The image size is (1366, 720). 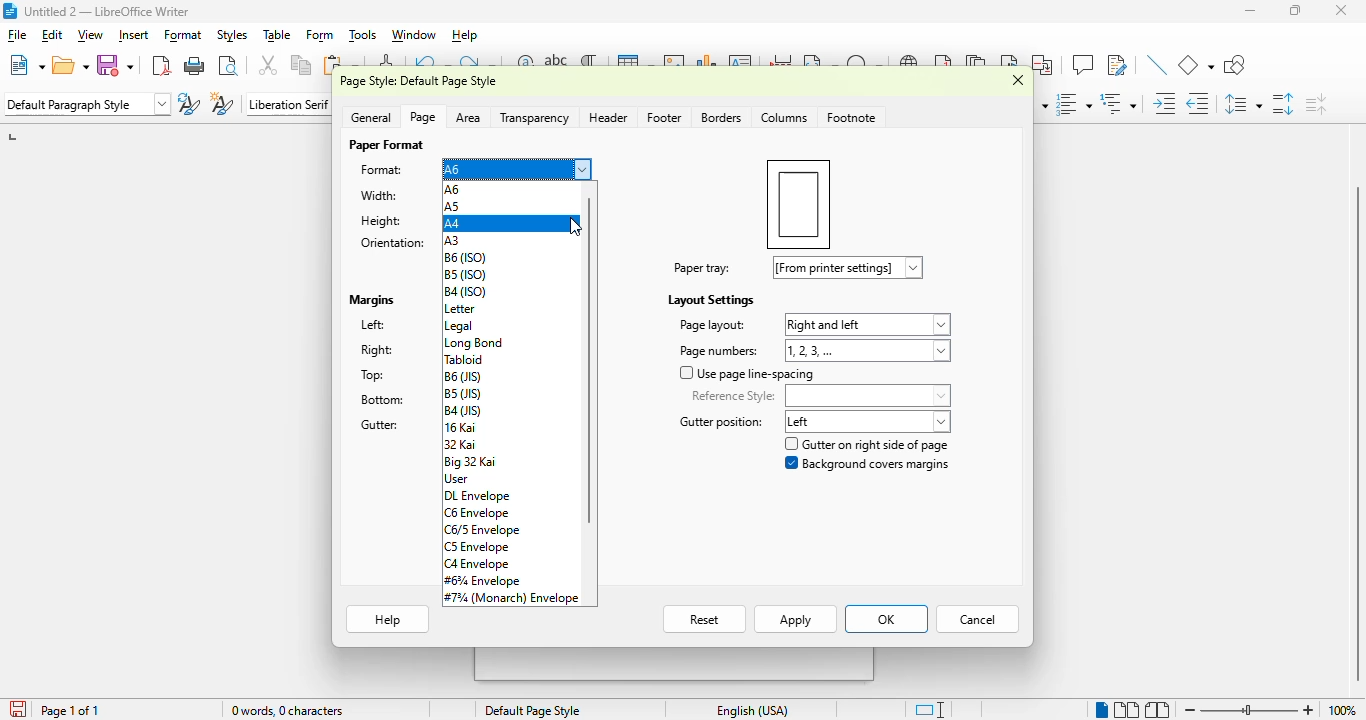 I want to click on title, so click(x=107, y=11).